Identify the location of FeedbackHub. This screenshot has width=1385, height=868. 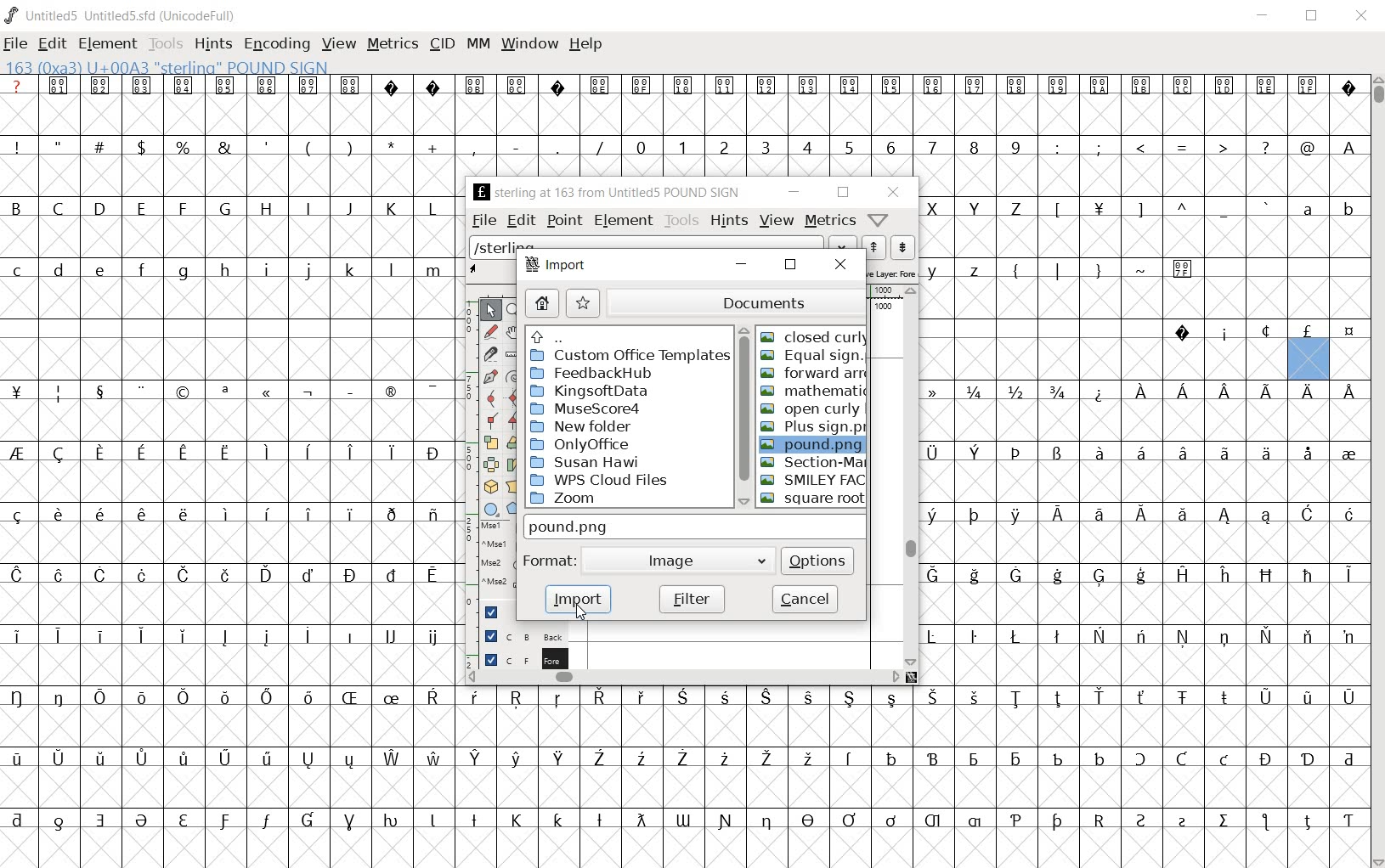
(598, 372).